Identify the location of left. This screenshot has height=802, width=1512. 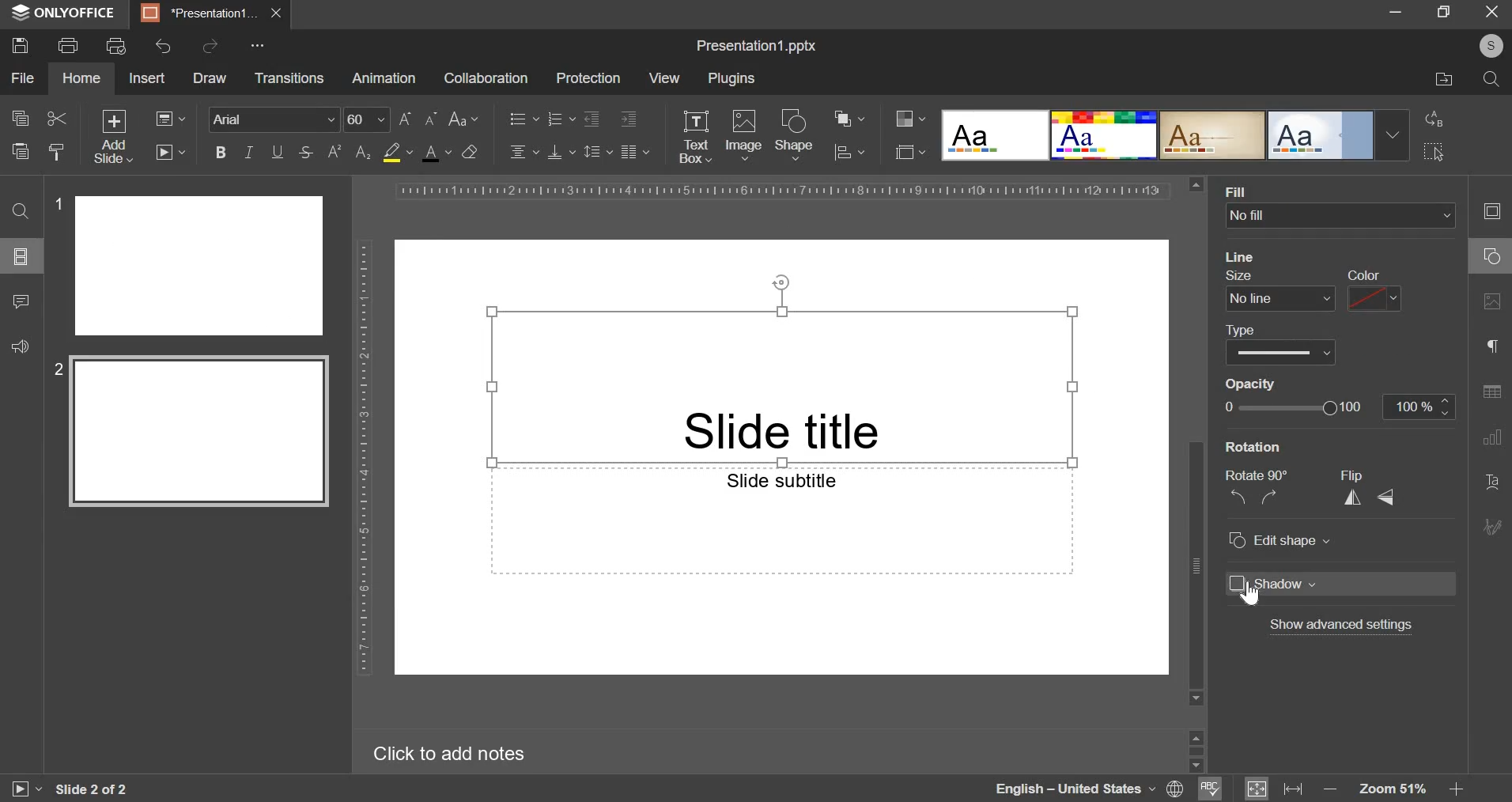
(1239, 497).